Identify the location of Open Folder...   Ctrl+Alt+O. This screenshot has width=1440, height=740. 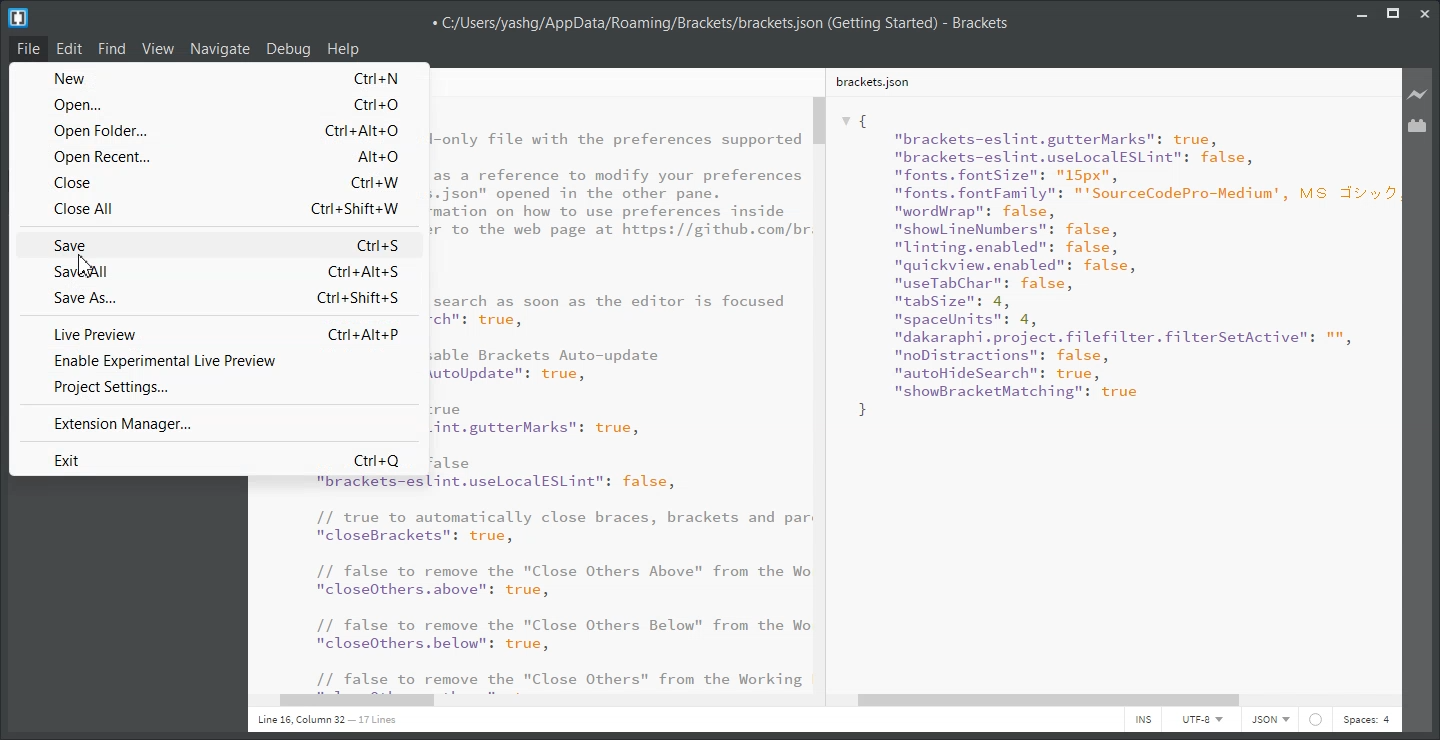
(218, 130).